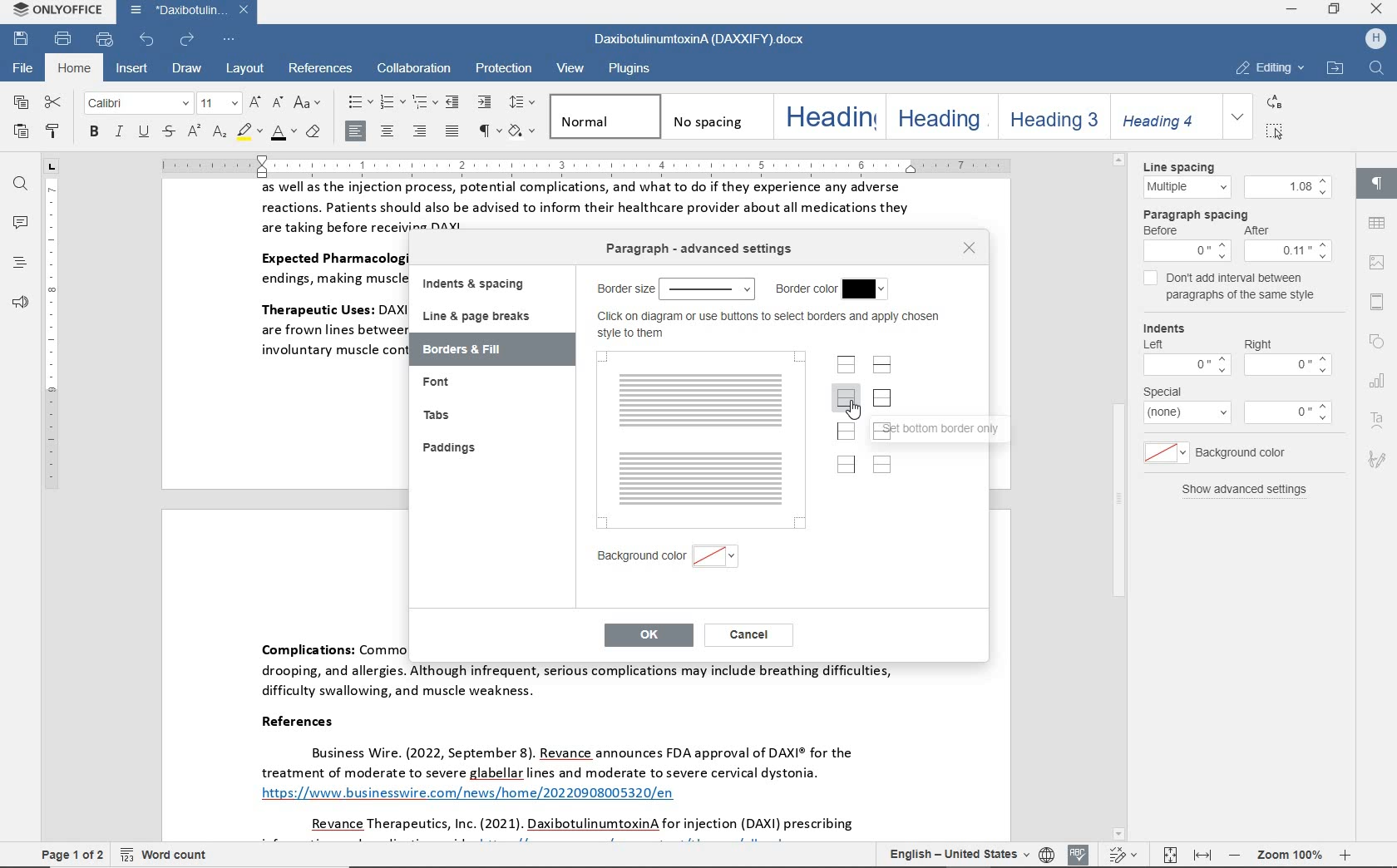 This screenshot has width=1397, height=868. Describe the element at coordinates (1126, 854) in the screenshot. I see `track changes` at that location.